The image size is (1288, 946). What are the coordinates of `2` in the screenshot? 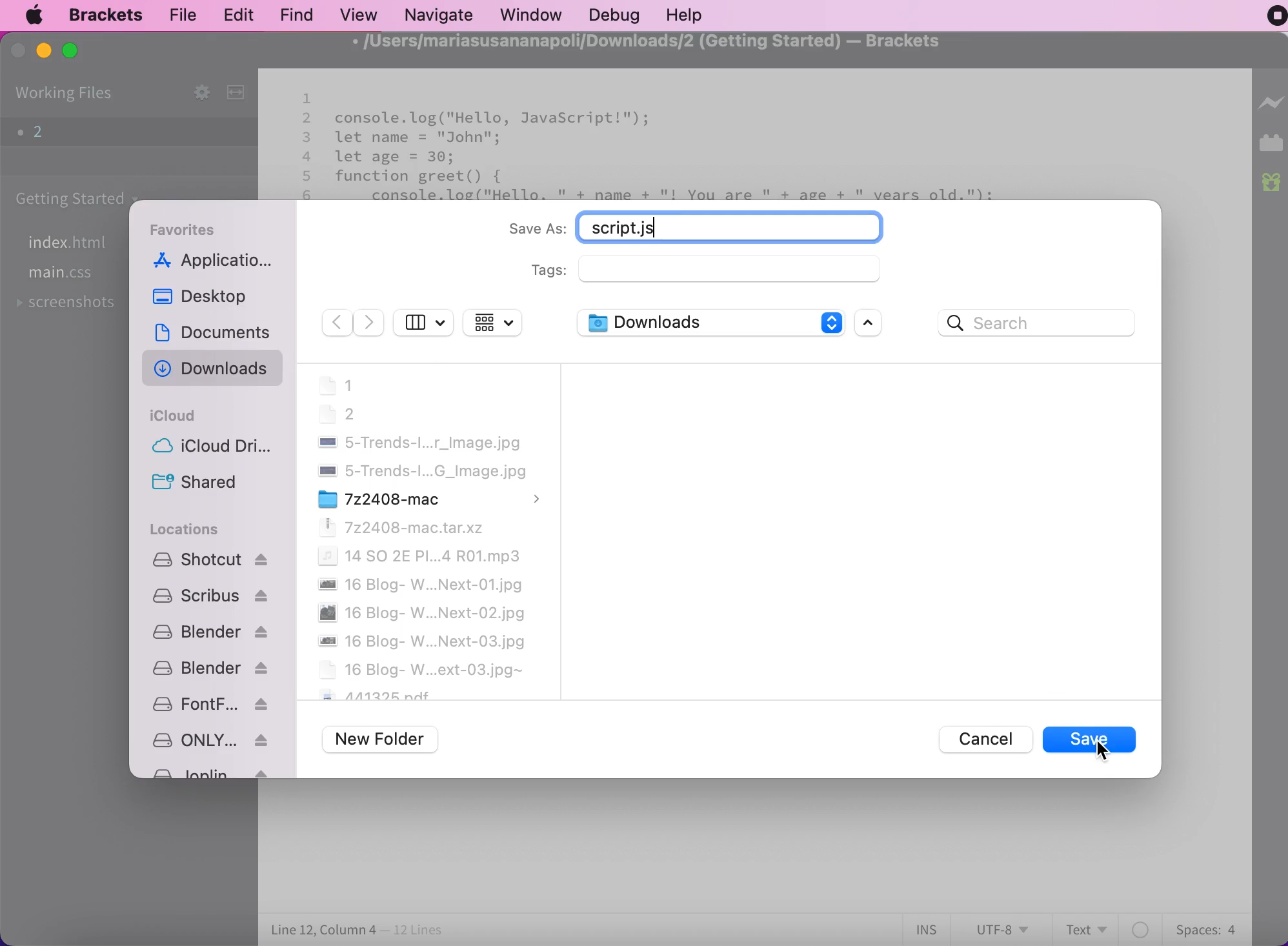 It's located at (337, 414).